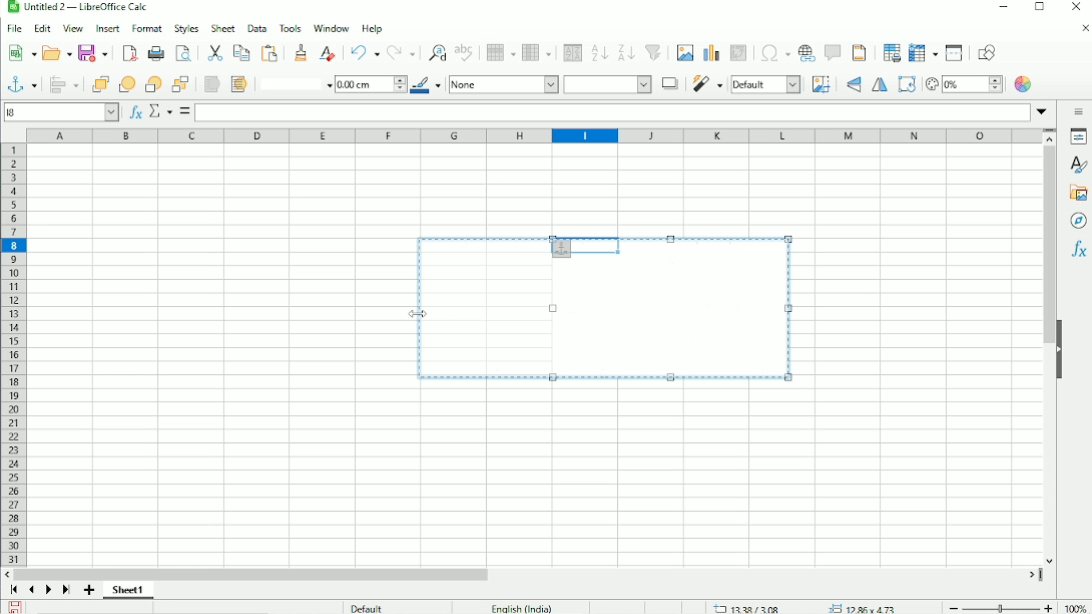  I want to click on Column headings, so click(535, 136).